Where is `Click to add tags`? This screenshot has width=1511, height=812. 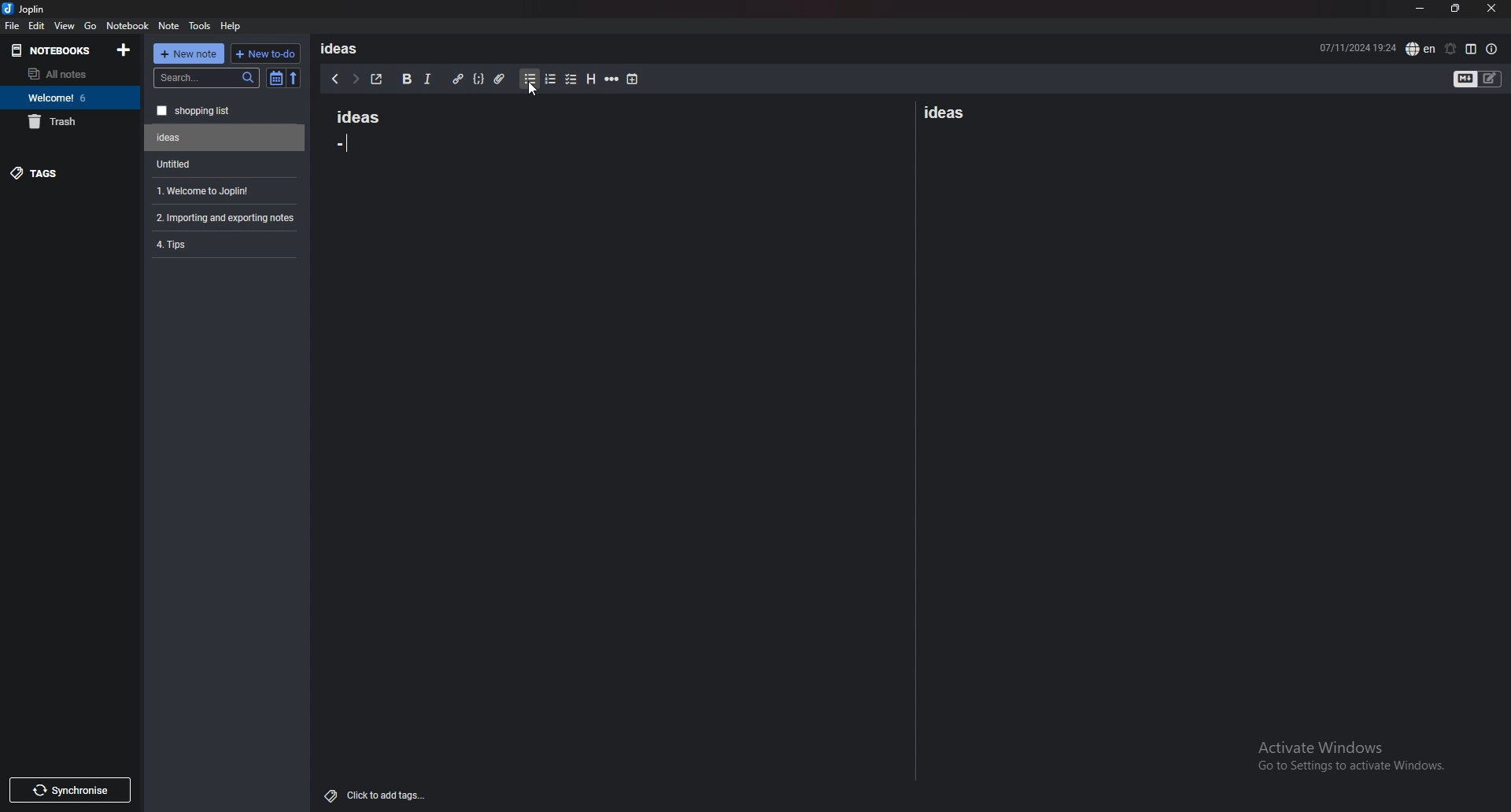 Click to add tags is located at coordinates (379, 792).